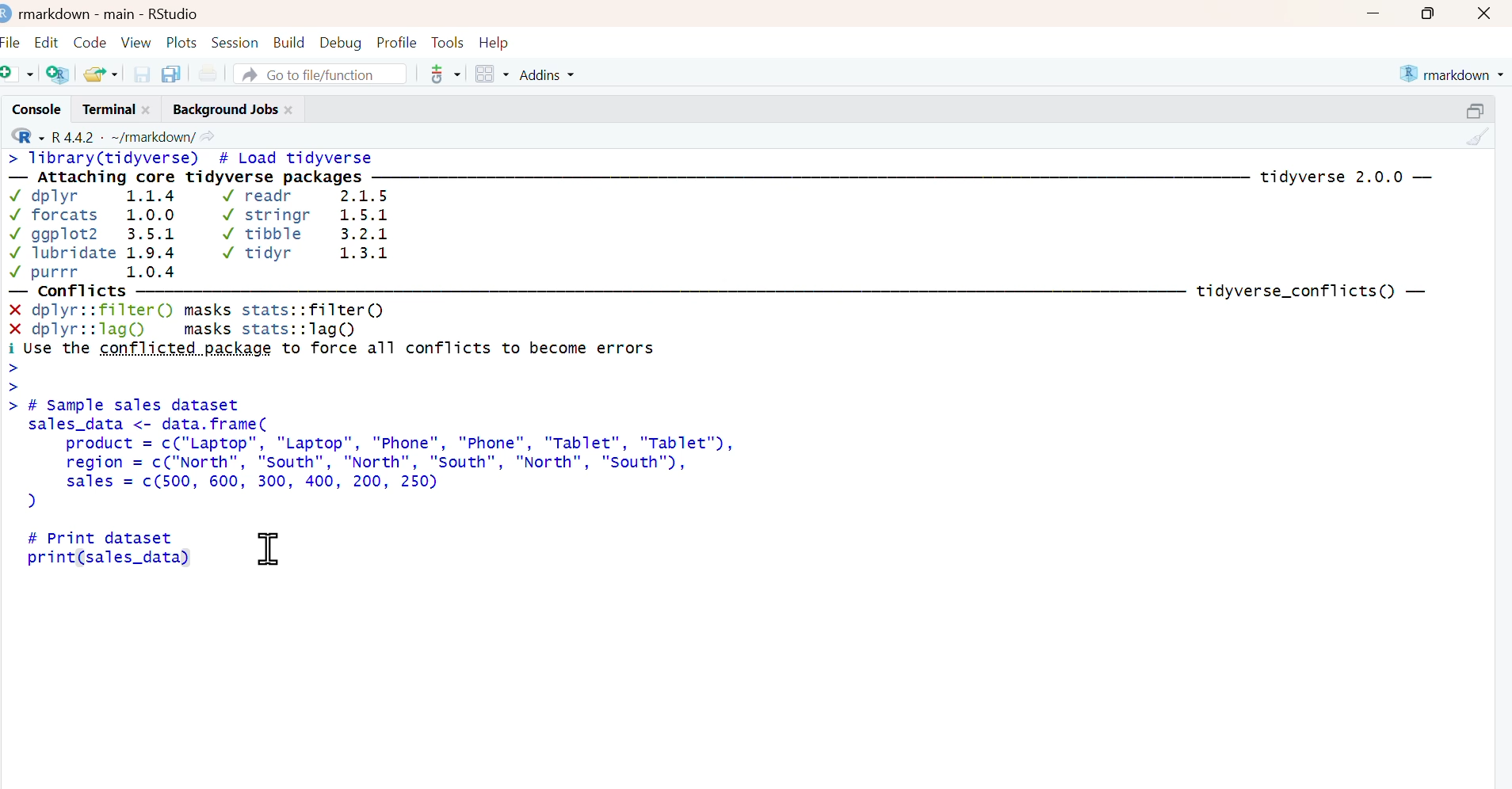  What do you see at coordinates (208, 73) in the screenshot?
I see `Print current file` at bounding box center [208, 73].